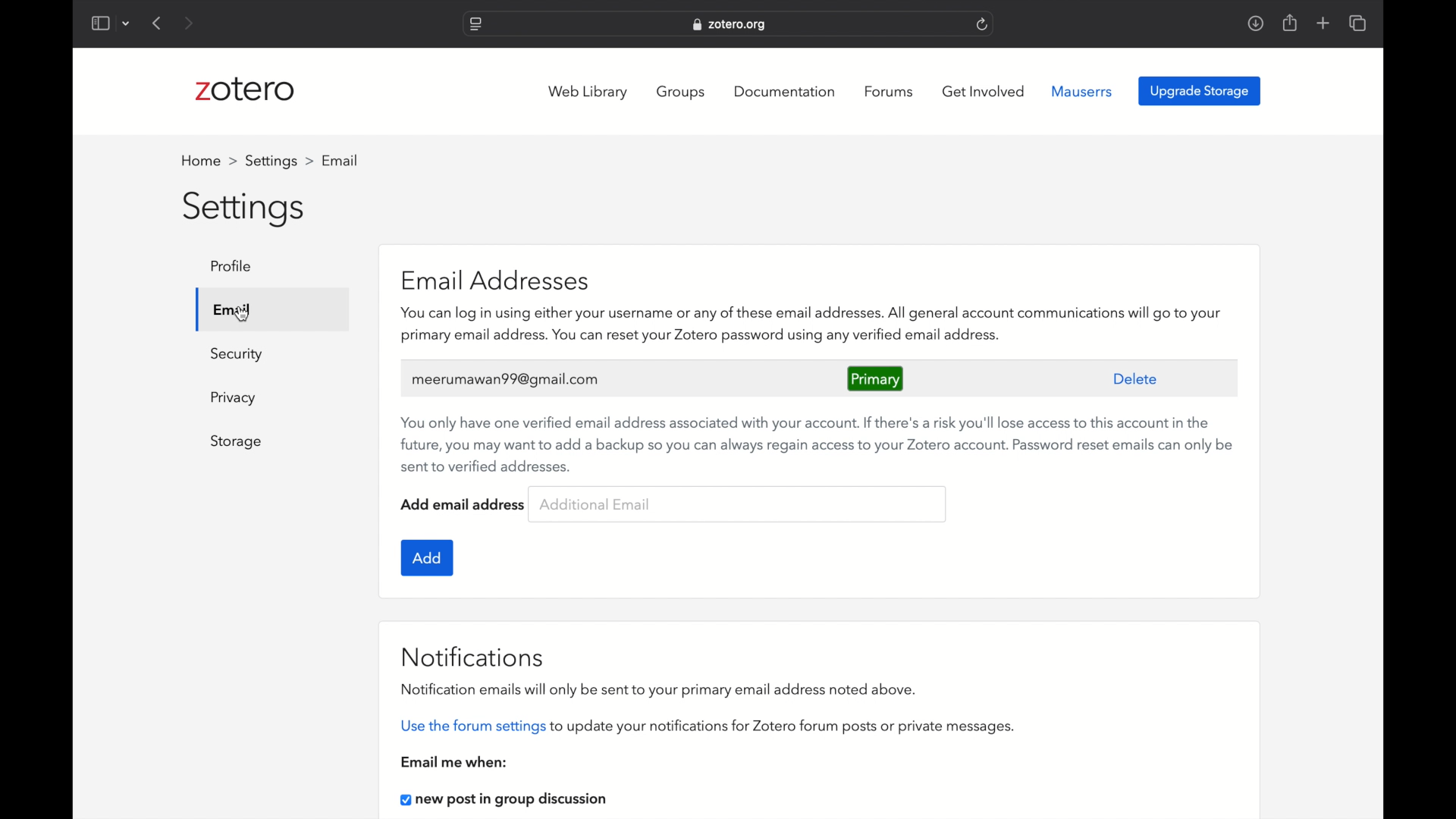 The image size is (1456, 819). What do you see at coordinates (243, 210) in the screenshot?
I see `settings` at bounding box center [243, 210].